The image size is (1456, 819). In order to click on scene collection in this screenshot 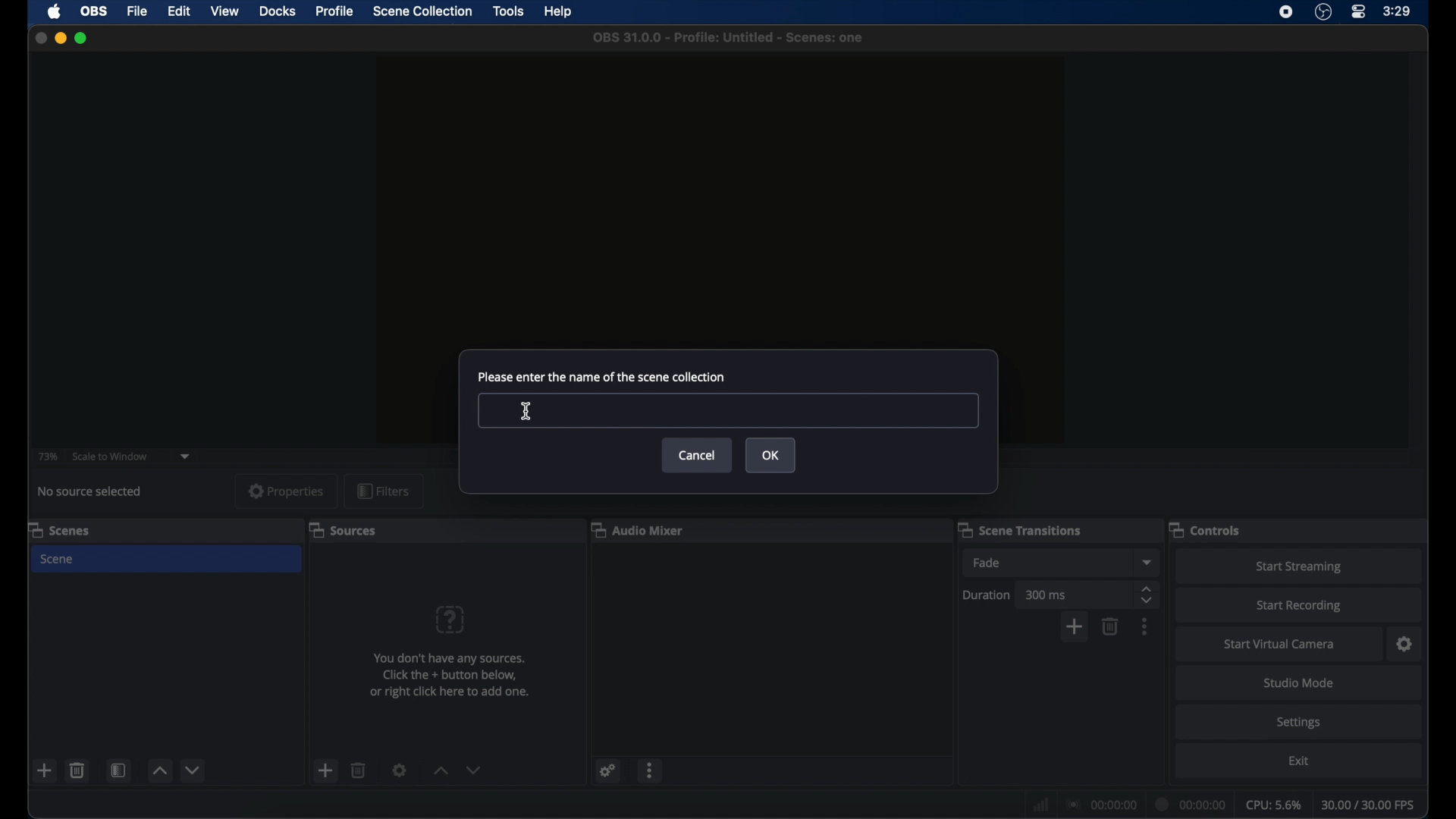, I will do `click(423, 11)`.